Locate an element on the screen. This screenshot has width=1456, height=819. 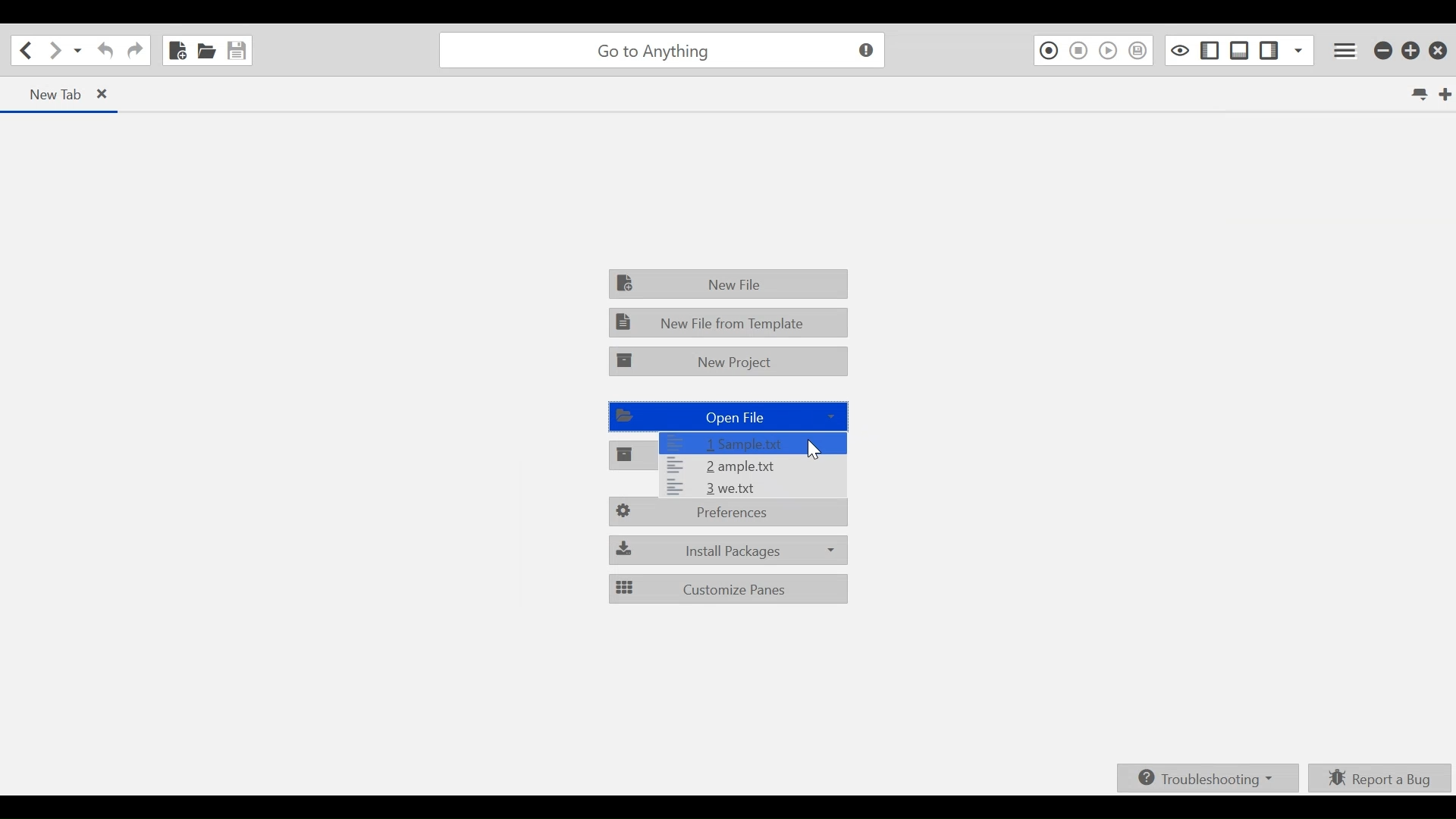
Customize Pages is located at coordinates (726, 588).